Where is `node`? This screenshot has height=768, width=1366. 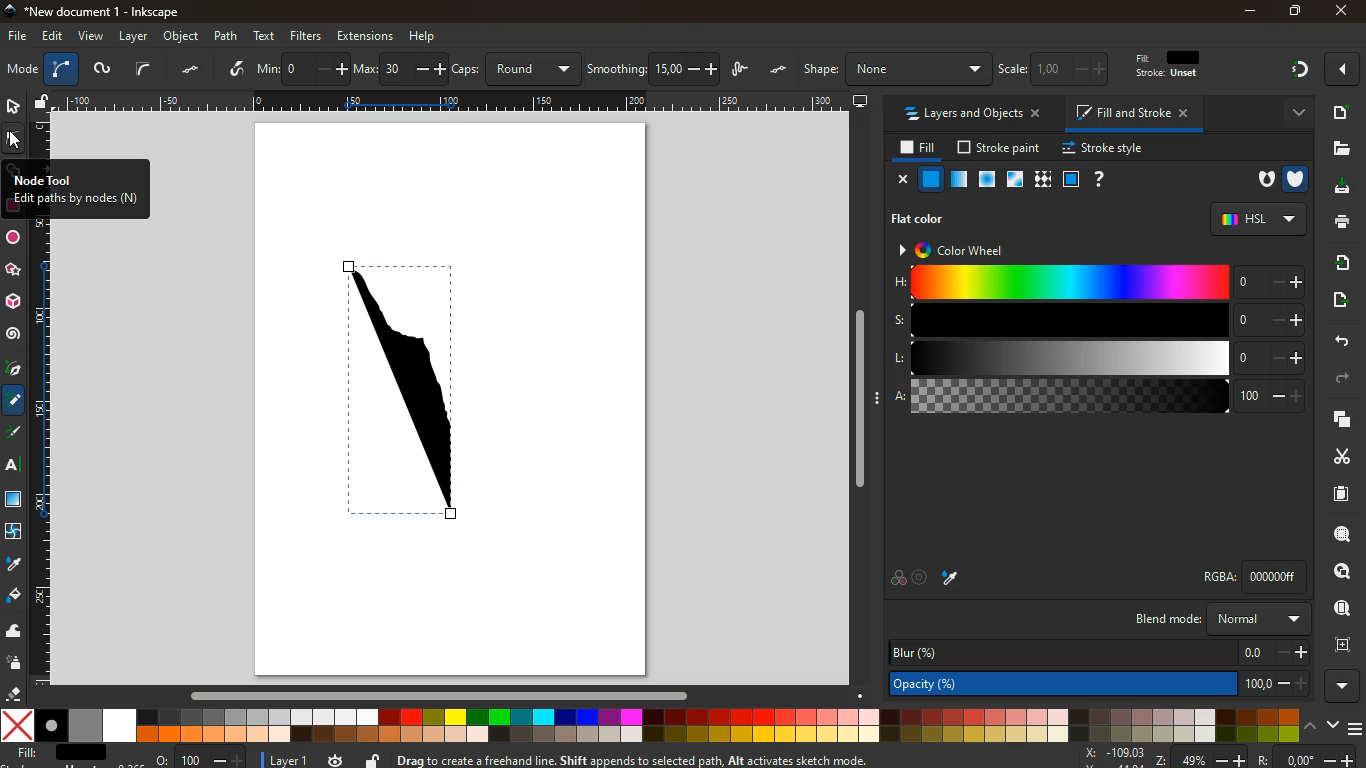 node is located at coordinates (15, 137).